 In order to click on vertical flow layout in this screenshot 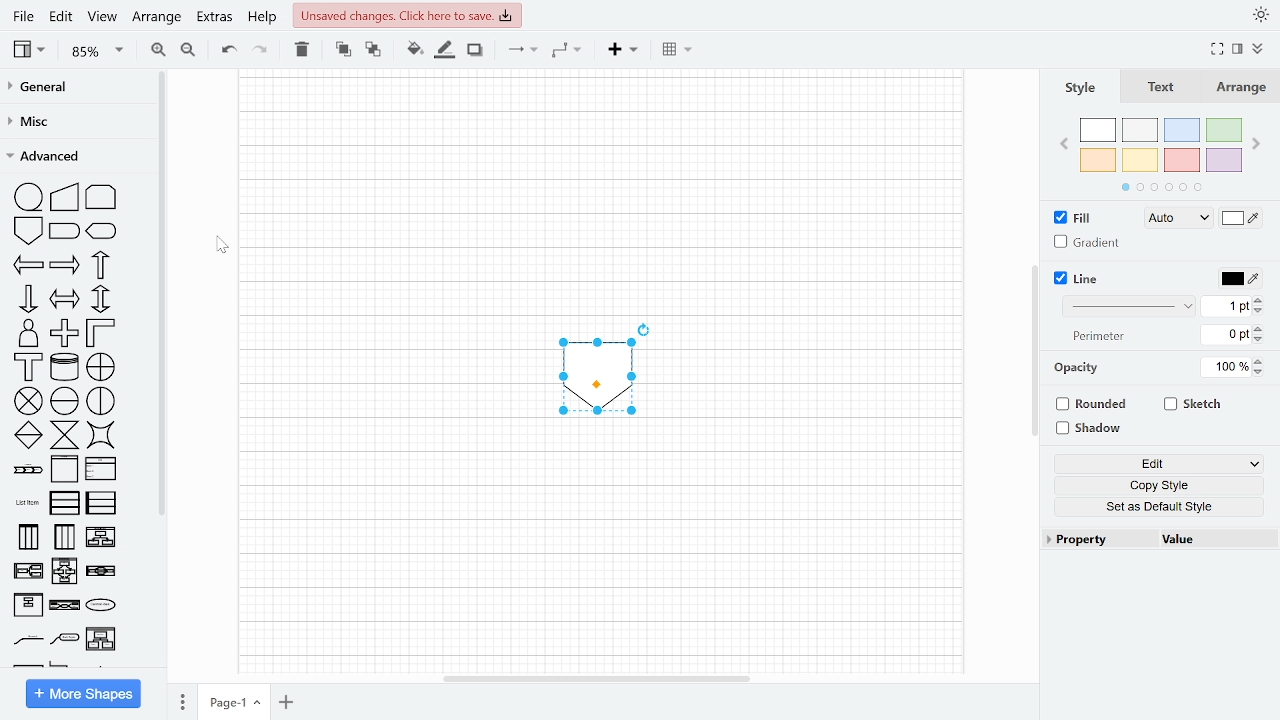, I will do `click(28, 573)`.